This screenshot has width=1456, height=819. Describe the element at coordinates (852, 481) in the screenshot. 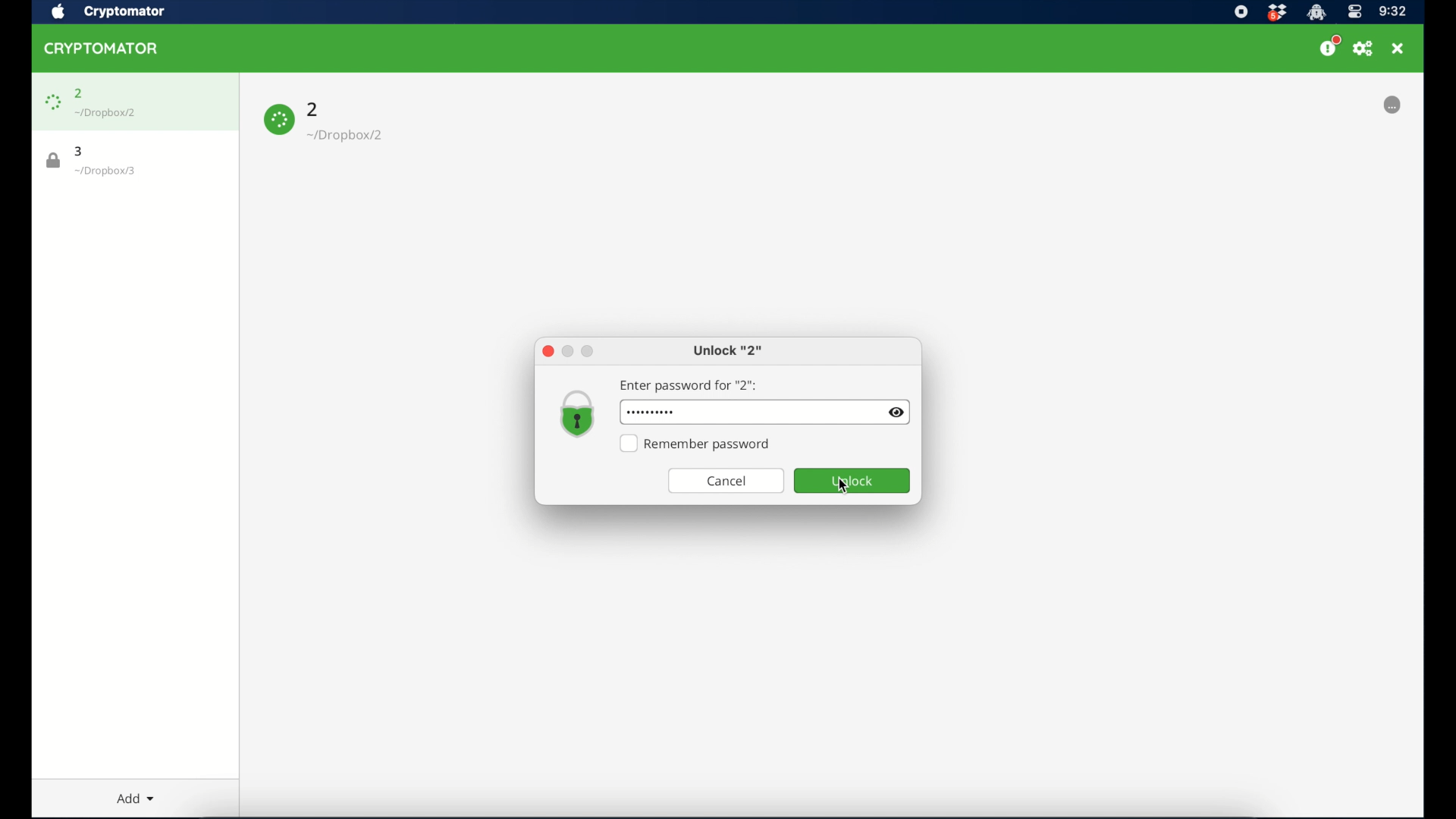

I see `unlock` at that location.